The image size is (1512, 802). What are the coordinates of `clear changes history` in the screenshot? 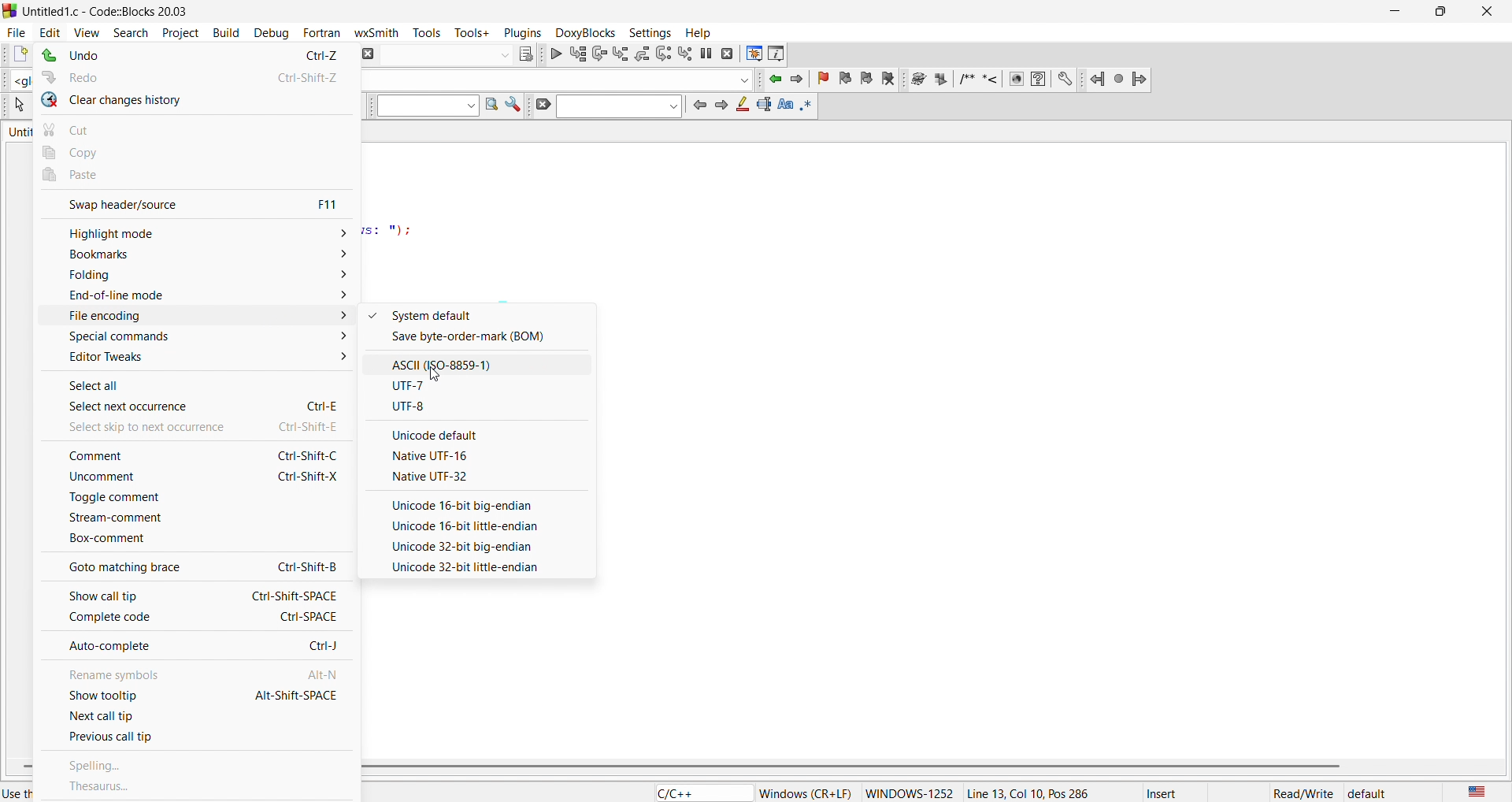 It's located at (197, 102).